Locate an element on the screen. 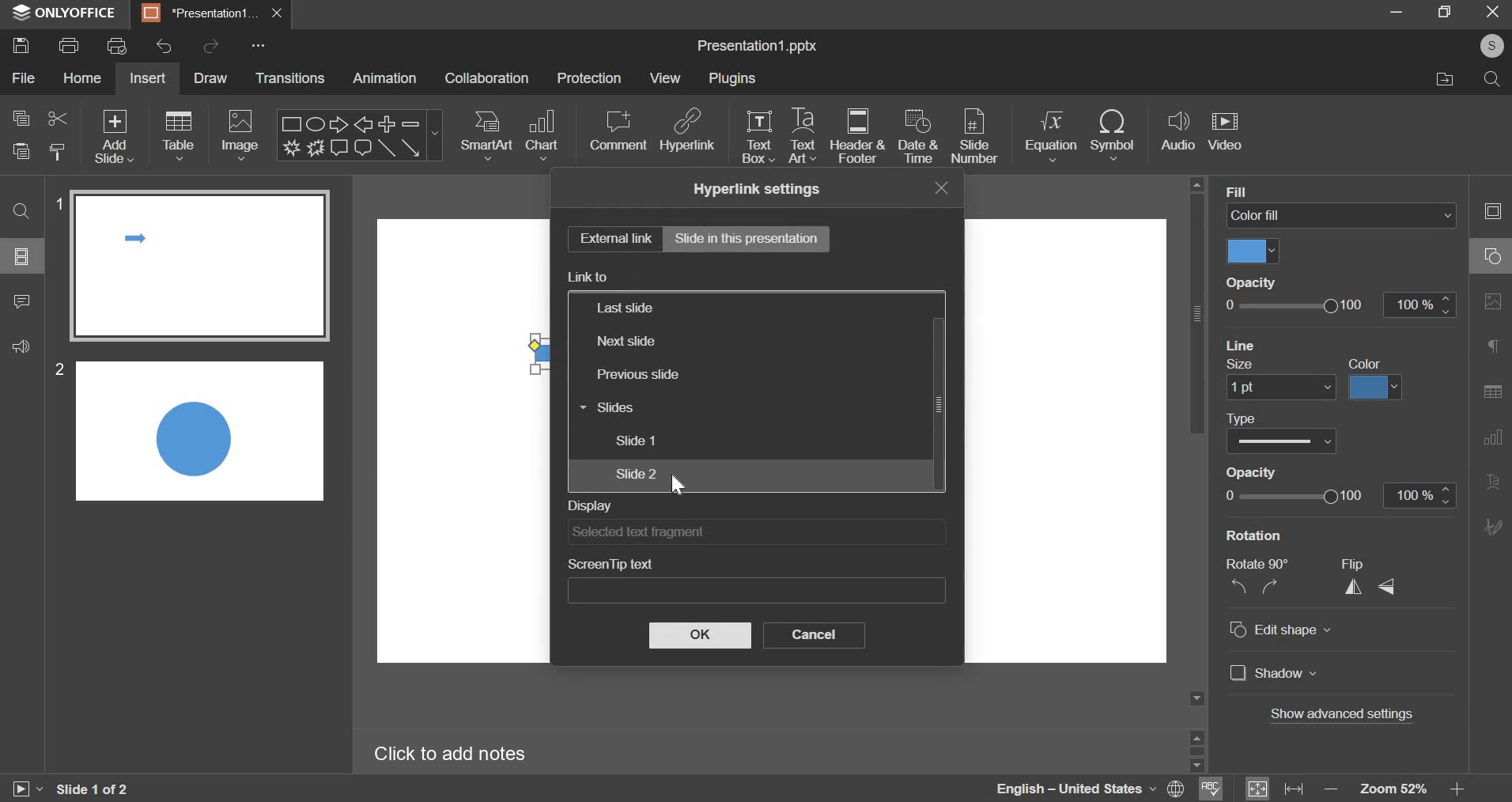 The image size is (1512, 802). header & footer is located at coordinates (857, 134).